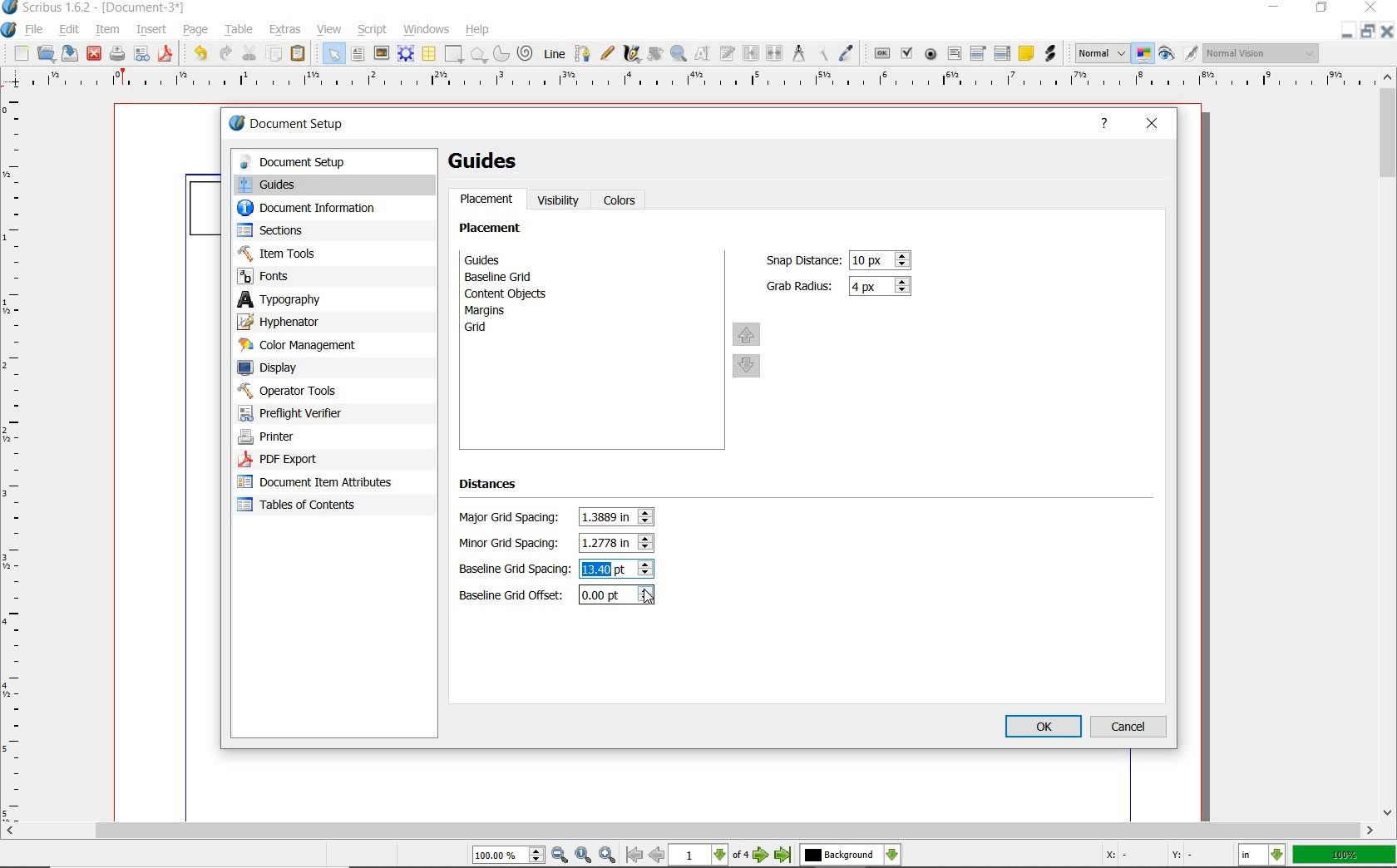 This screenshot has width=1397, height=868. Describe the element at coordinates (1371, 7) in the screenshot. I see `close` at that location.